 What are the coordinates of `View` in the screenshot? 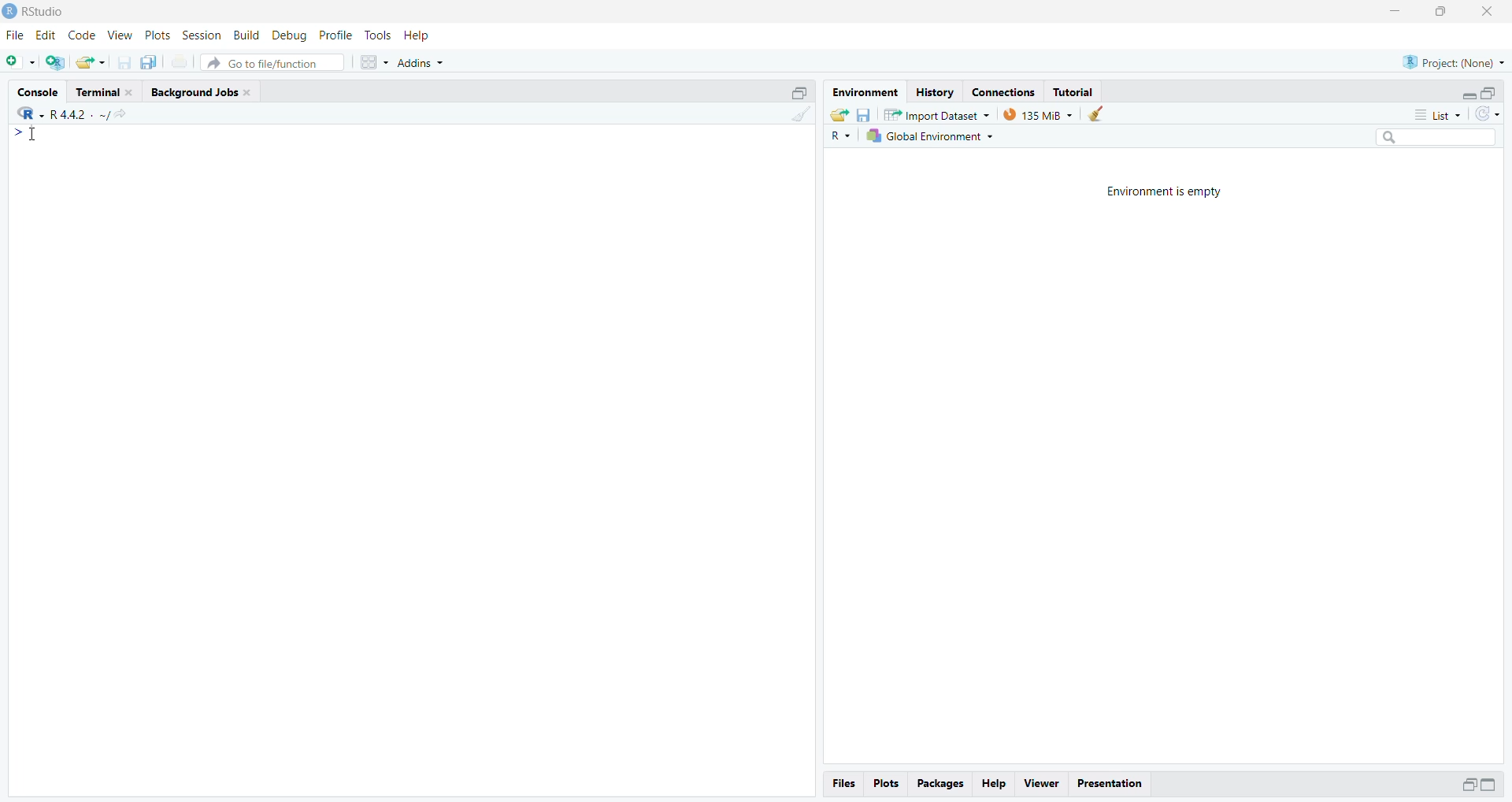 It's located at (1040, 782).